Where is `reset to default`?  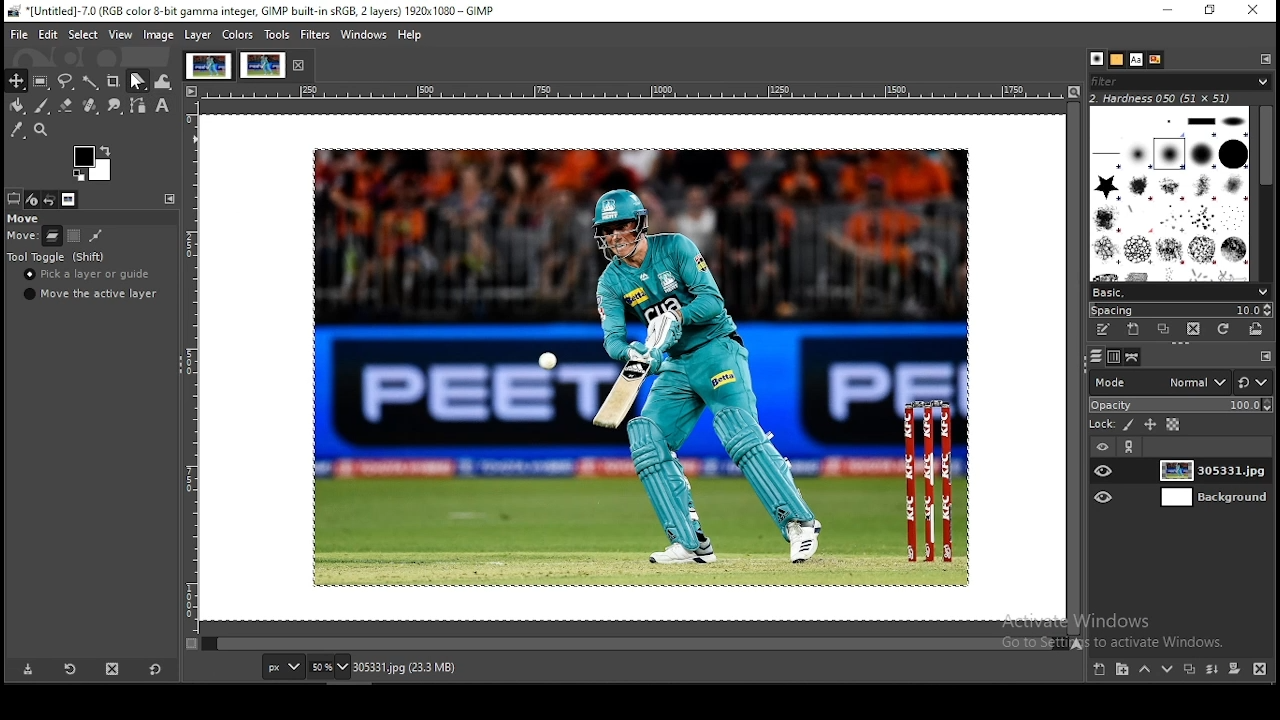 reset to default is located at coordinates (155, 670).